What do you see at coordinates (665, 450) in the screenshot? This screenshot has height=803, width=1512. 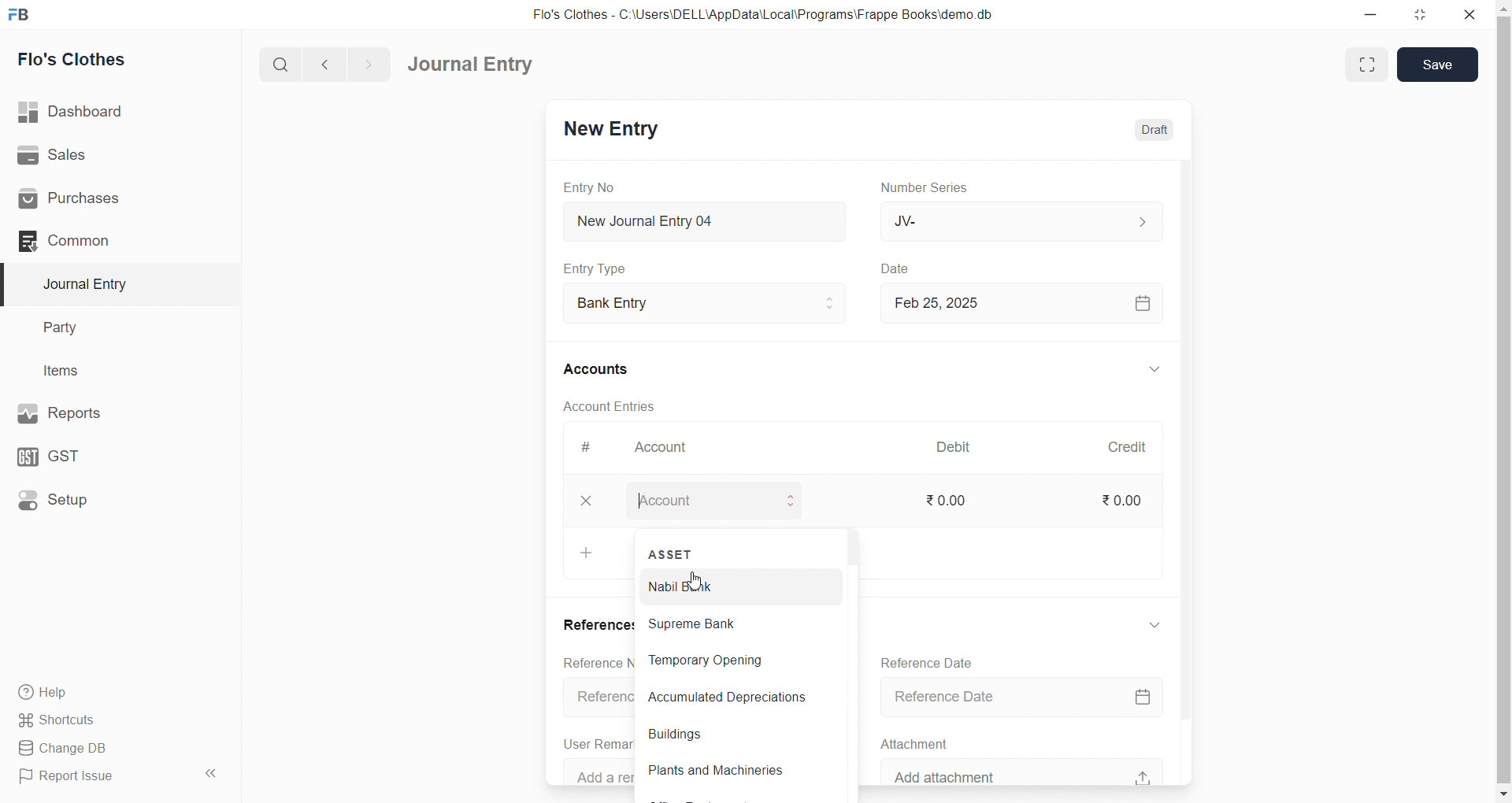 I see `Account` at bounding box center [665, 450].